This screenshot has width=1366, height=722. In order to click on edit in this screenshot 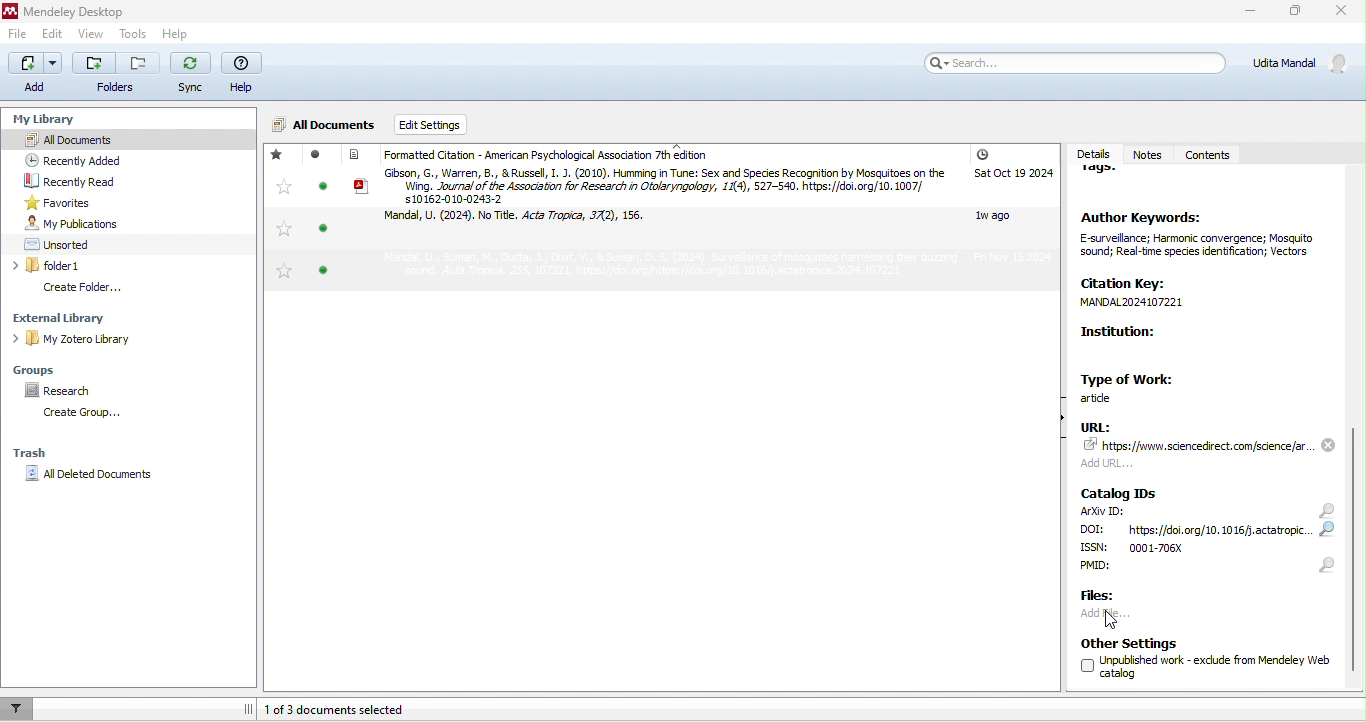, I will do `click(53, 35)`.